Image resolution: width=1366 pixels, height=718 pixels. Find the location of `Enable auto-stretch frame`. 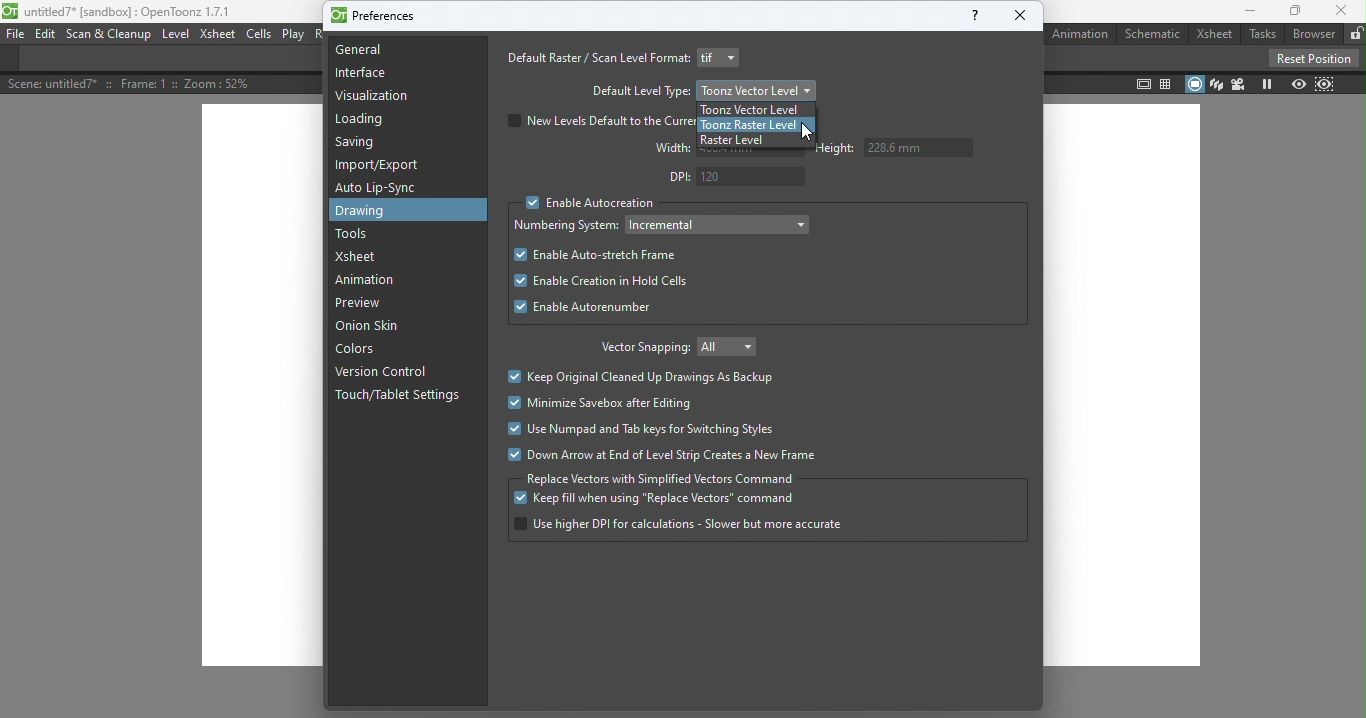

Enable auto-stretch frame is located at coordinates (597, 255).